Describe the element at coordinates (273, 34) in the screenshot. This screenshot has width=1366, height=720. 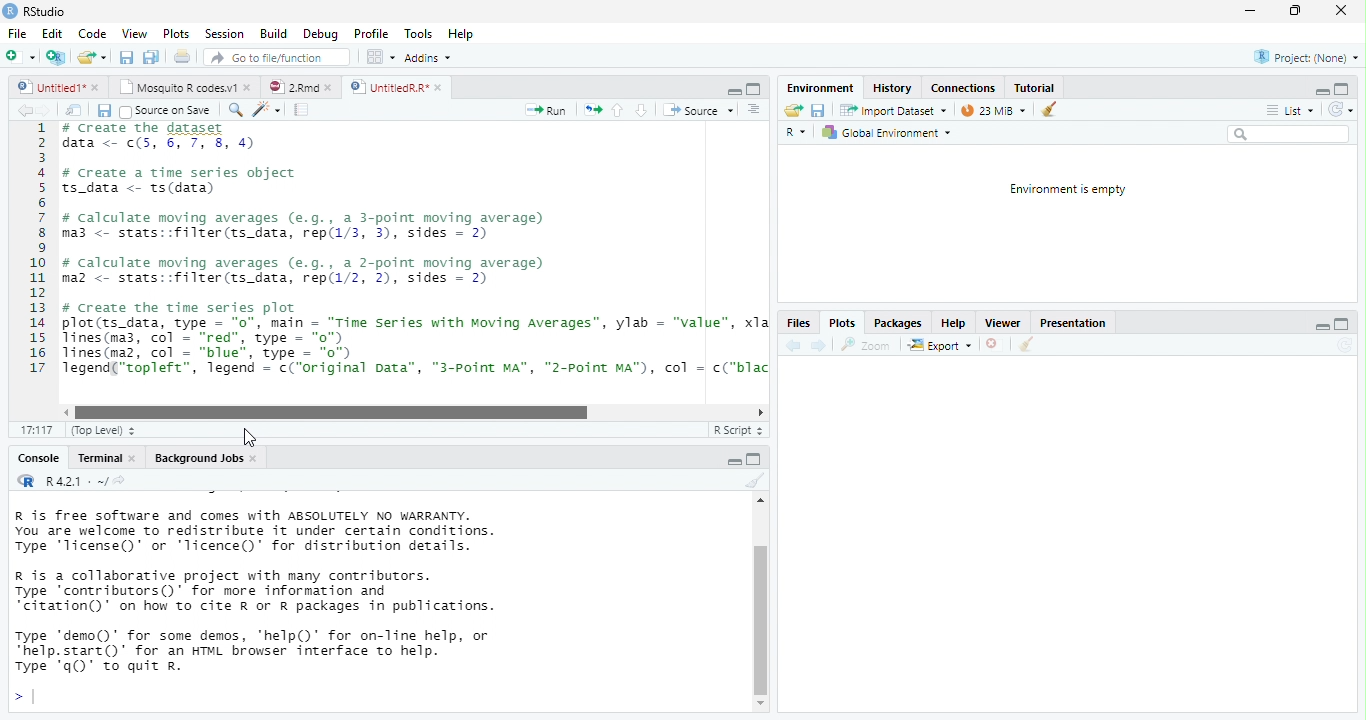
I see `Build` at that location.